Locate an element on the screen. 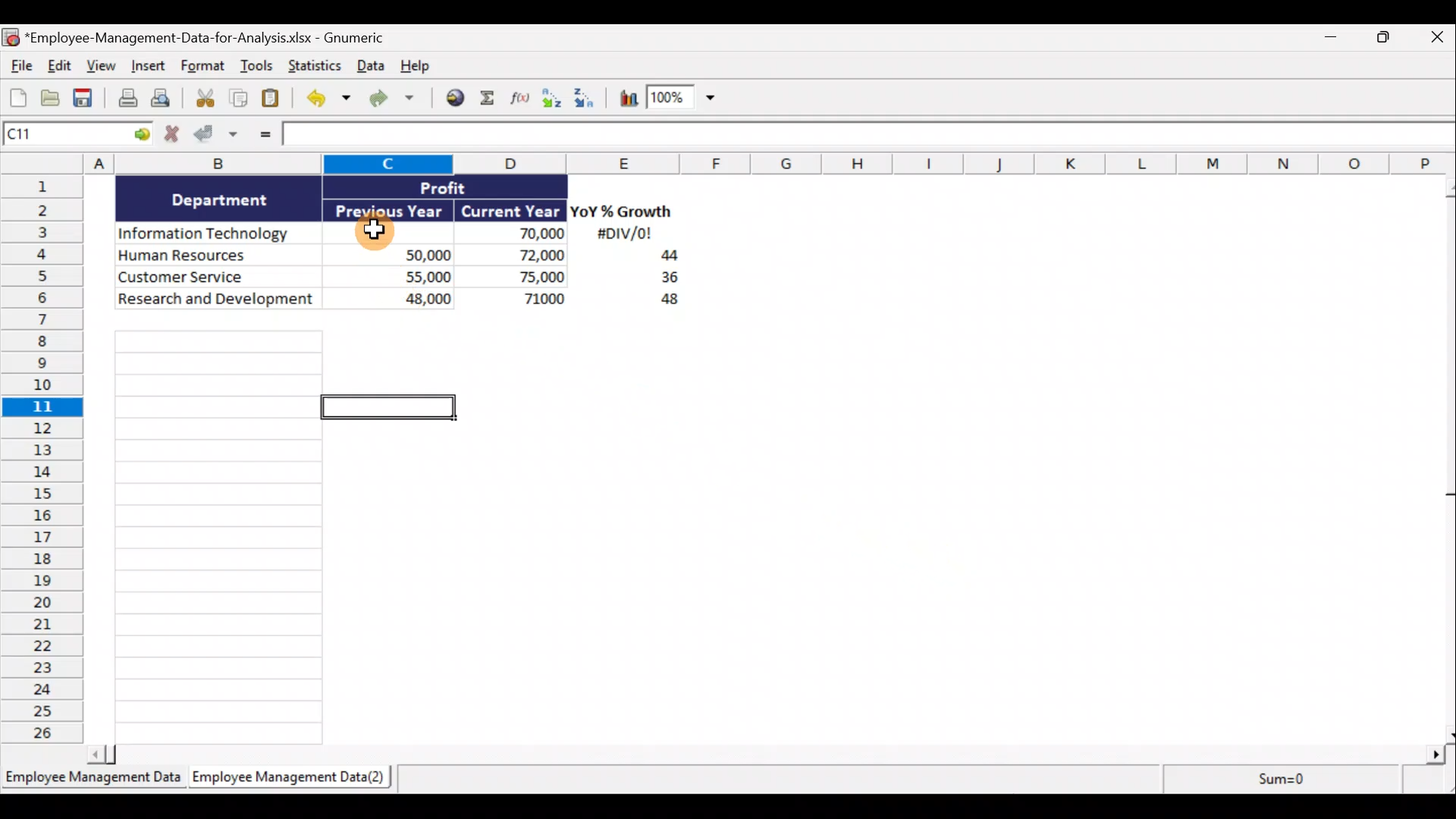 The height and width of the screenshot is (819, 1456). Save current workbook is located at coordinates (84, 99).